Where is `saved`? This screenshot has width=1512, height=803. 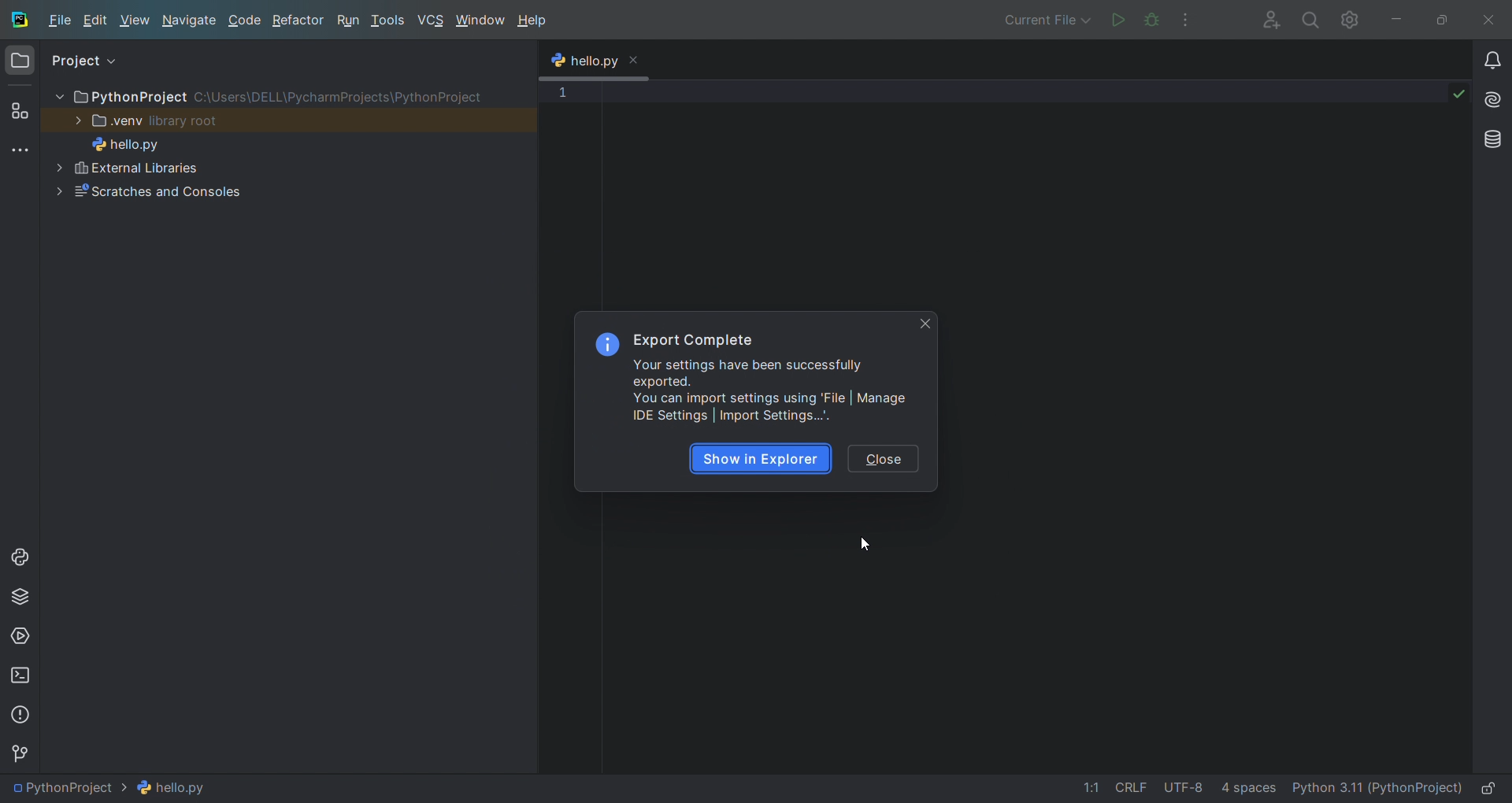 saved is located at coordinates (1458, 92).